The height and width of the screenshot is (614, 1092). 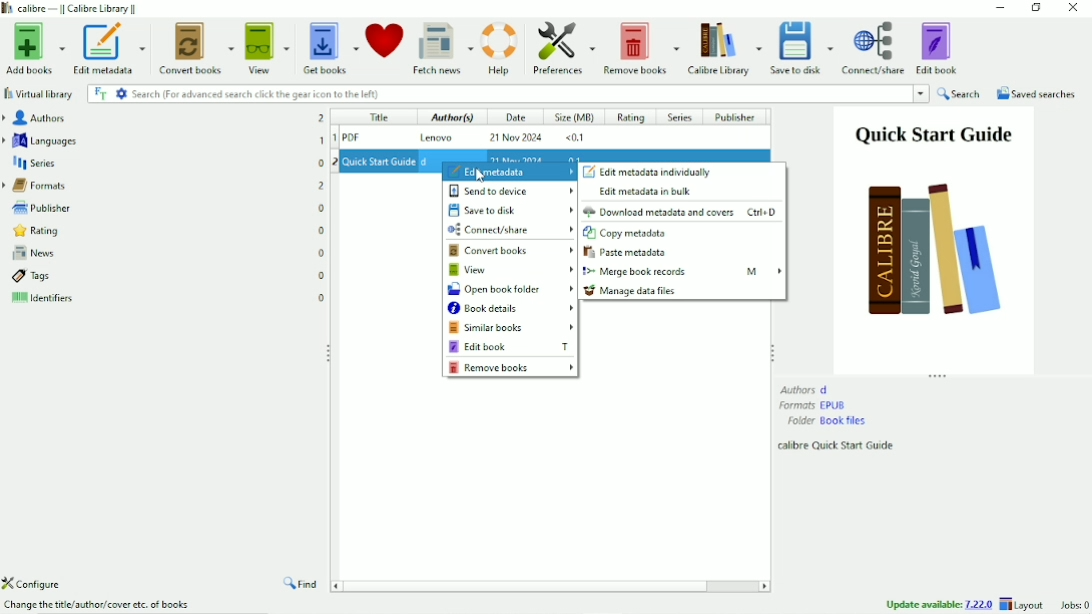 I want to click on Save to disk, so click(x=803, y=48).